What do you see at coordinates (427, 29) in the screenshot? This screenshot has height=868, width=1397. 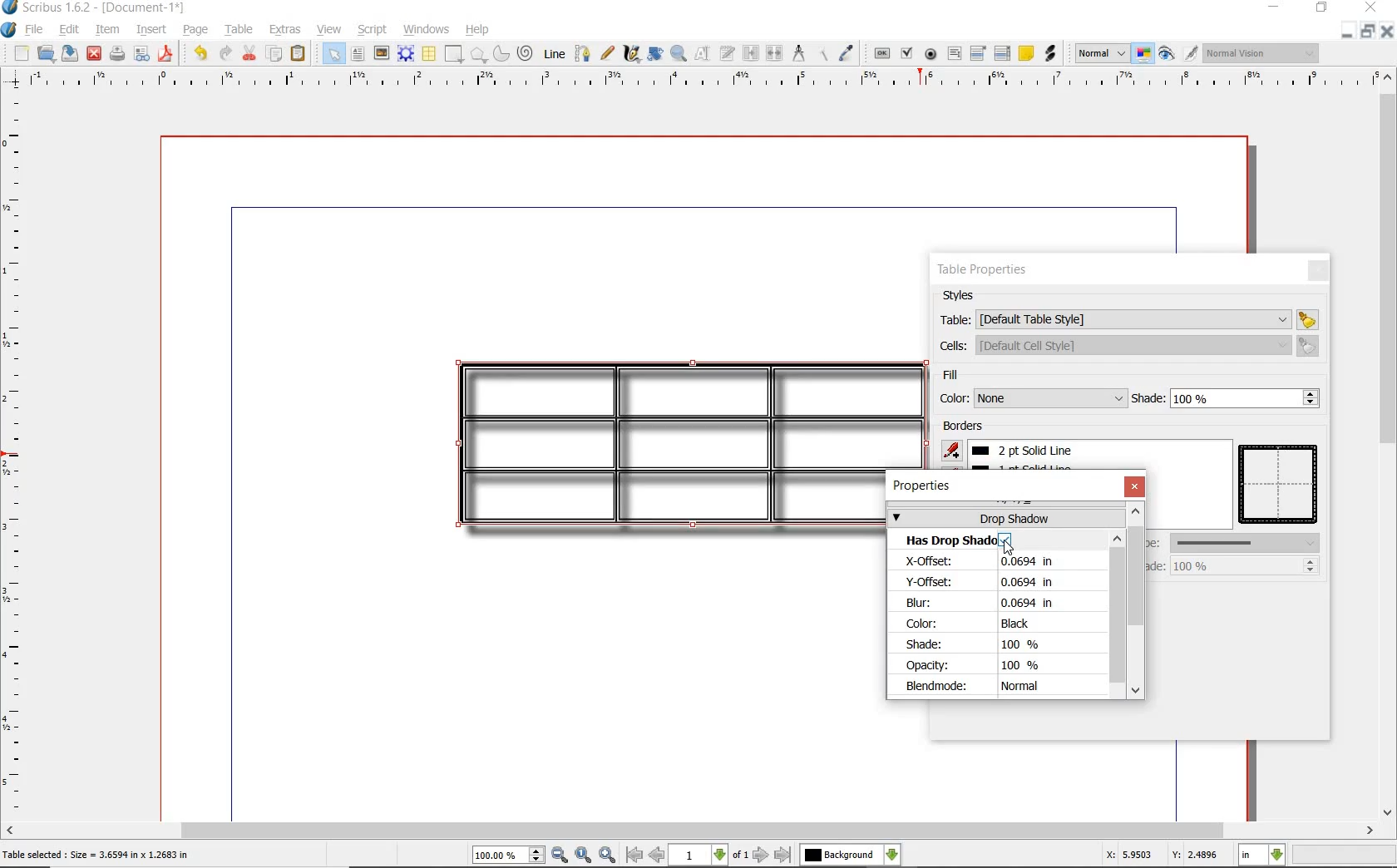 I see `windows` at bounding box center [427, 29].